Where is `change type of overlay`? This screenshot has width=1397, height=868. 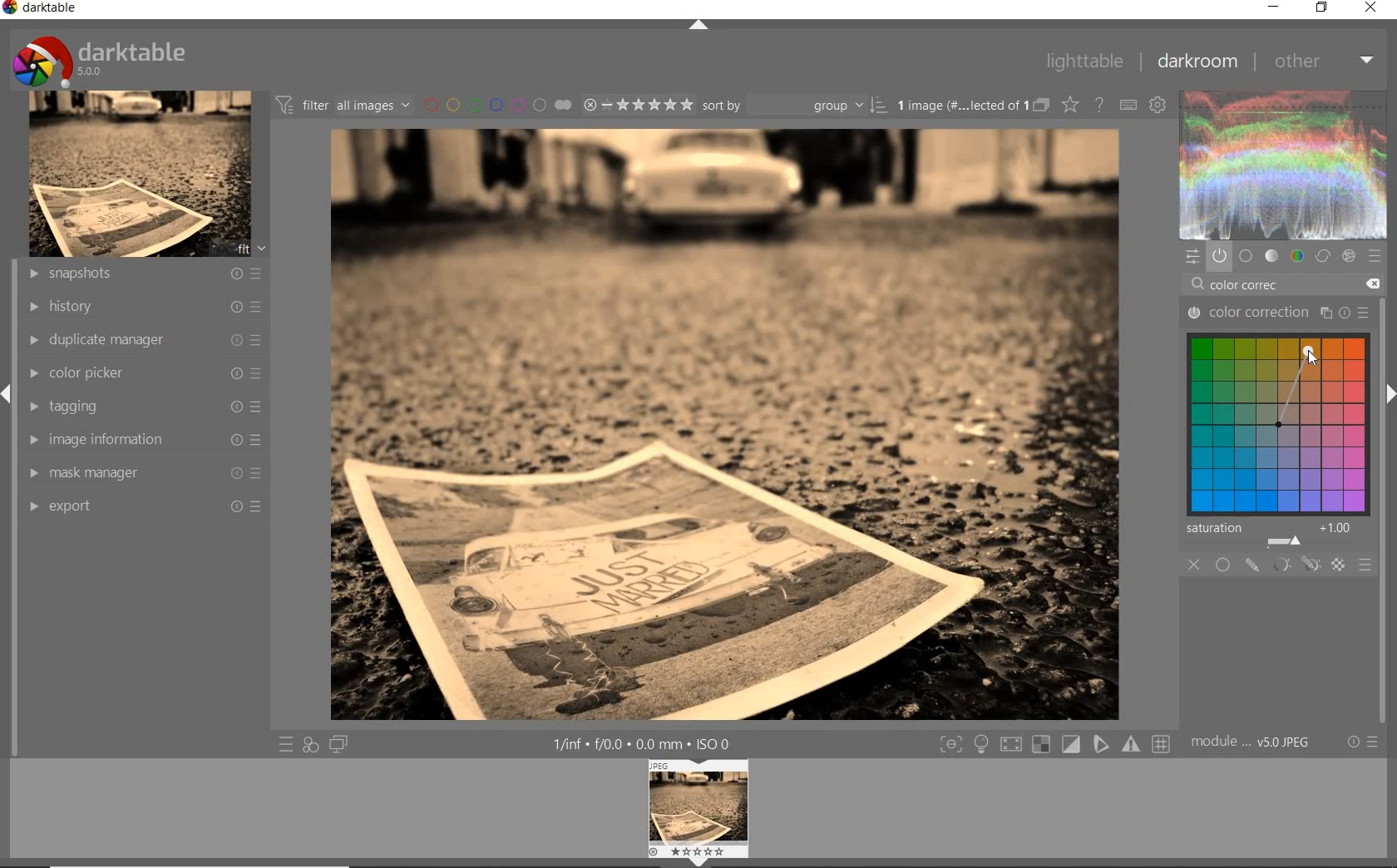 change type of overlay is located at coordinates (1069, 106).